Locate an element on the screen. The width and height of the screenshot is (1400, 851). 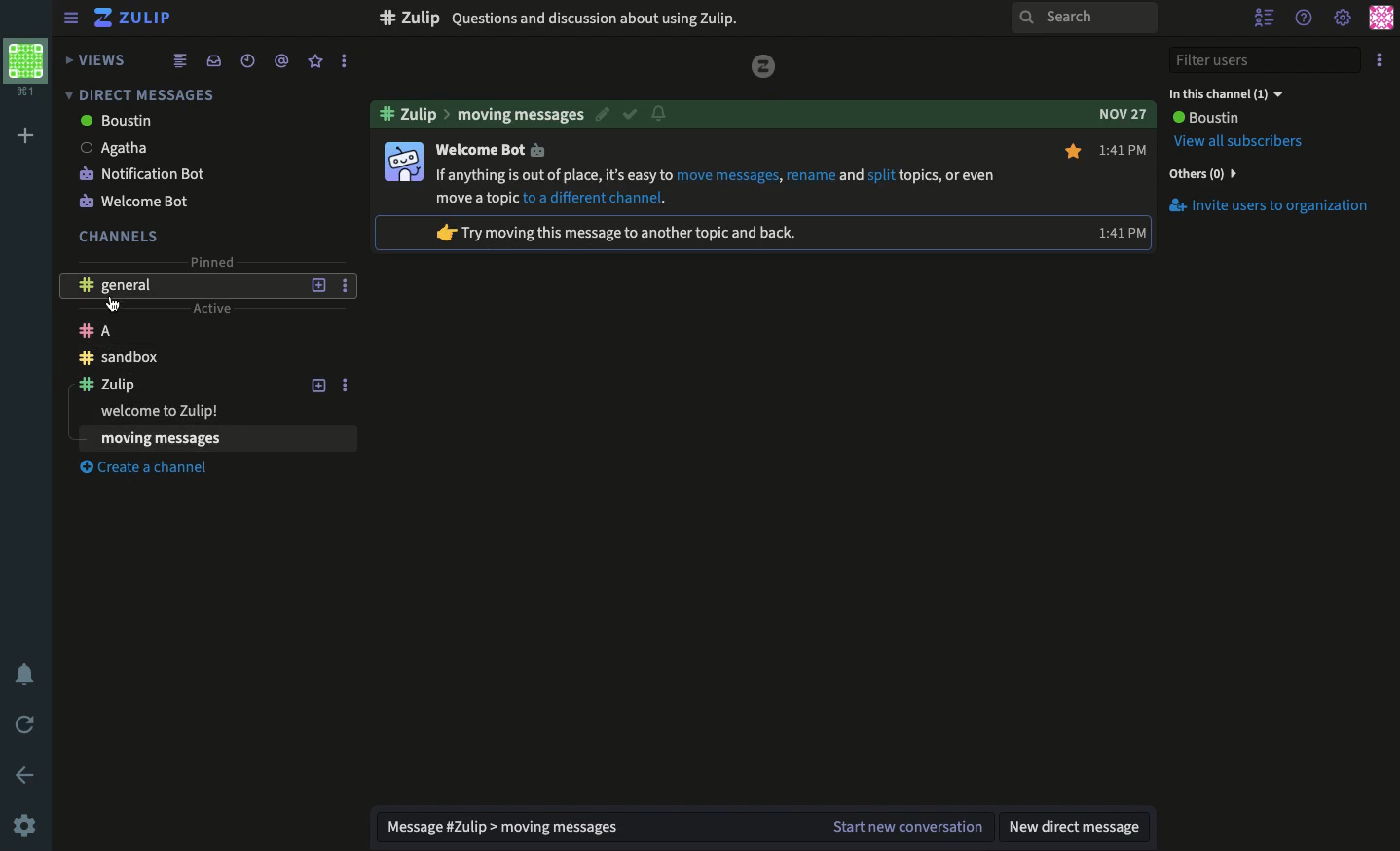
zulip logo is located at coordinates (764, 66).